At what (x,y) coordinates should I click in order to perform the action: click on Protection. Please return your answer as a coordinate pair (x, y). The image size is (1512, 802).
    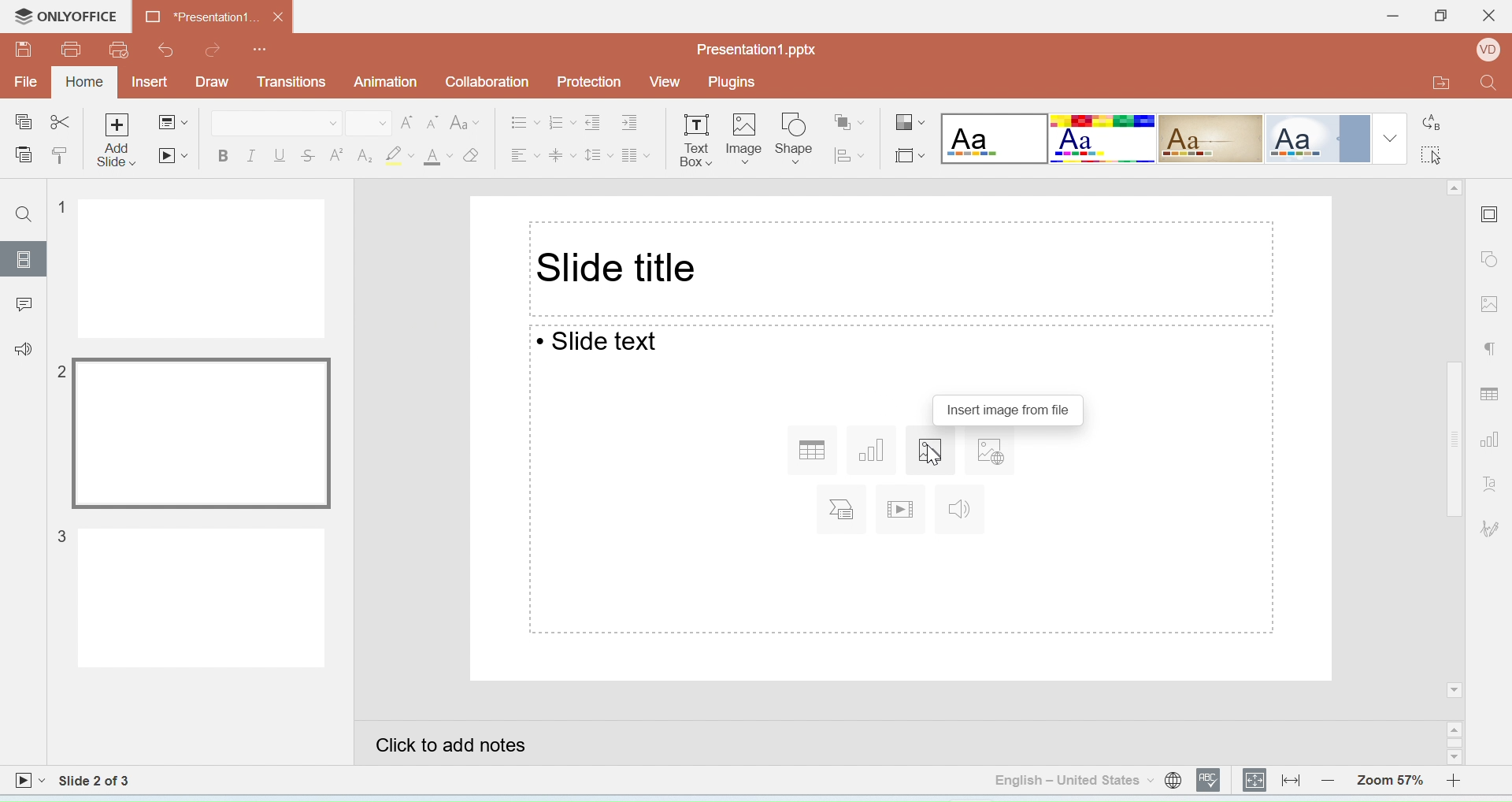
    Looking at the image, I should click on (594, 83).